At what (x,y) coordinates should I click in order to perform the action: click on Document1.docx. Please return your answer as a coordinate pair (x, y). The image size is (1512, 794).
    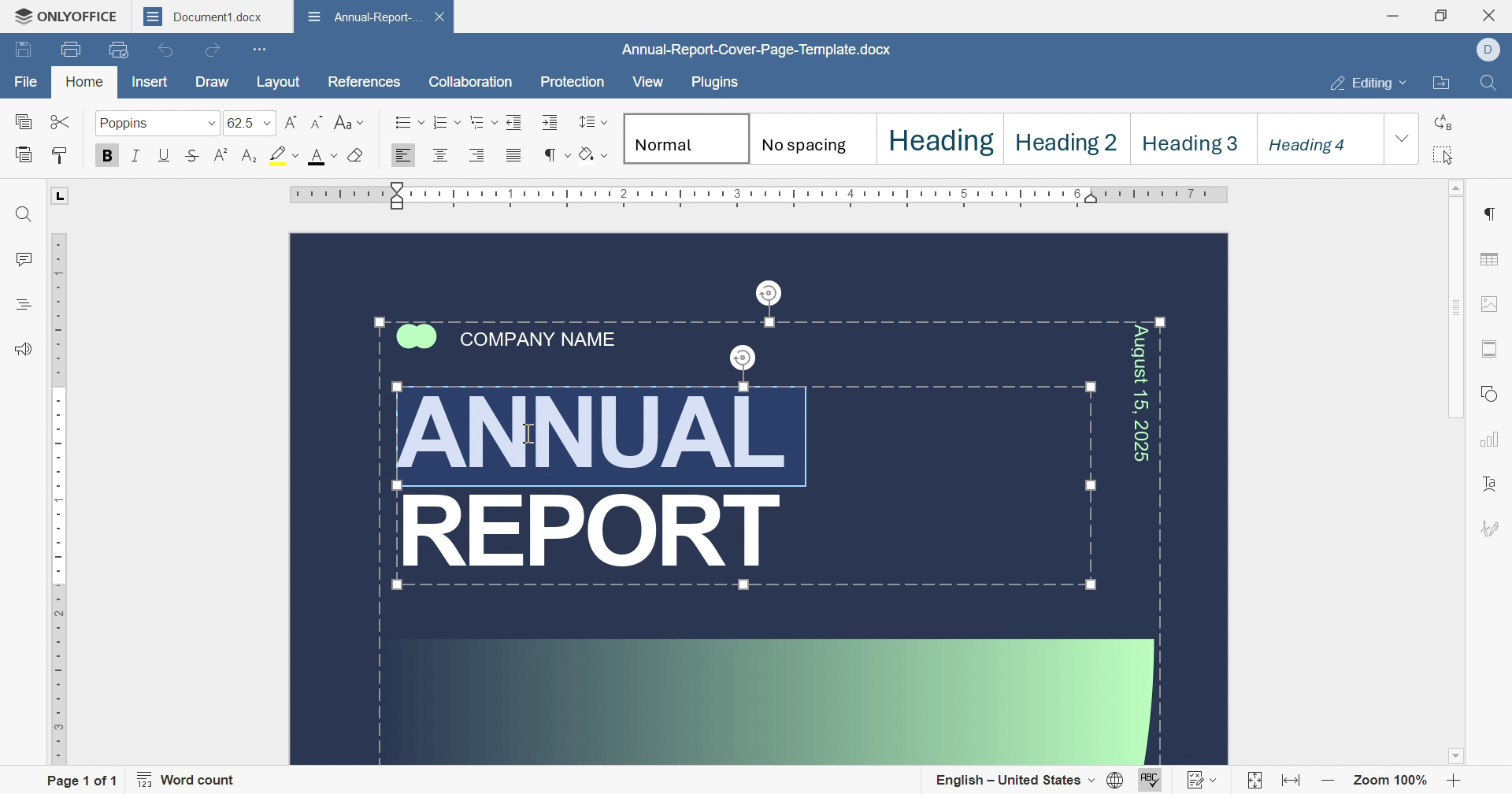
    Looking at the image, I should click on (749, 50).